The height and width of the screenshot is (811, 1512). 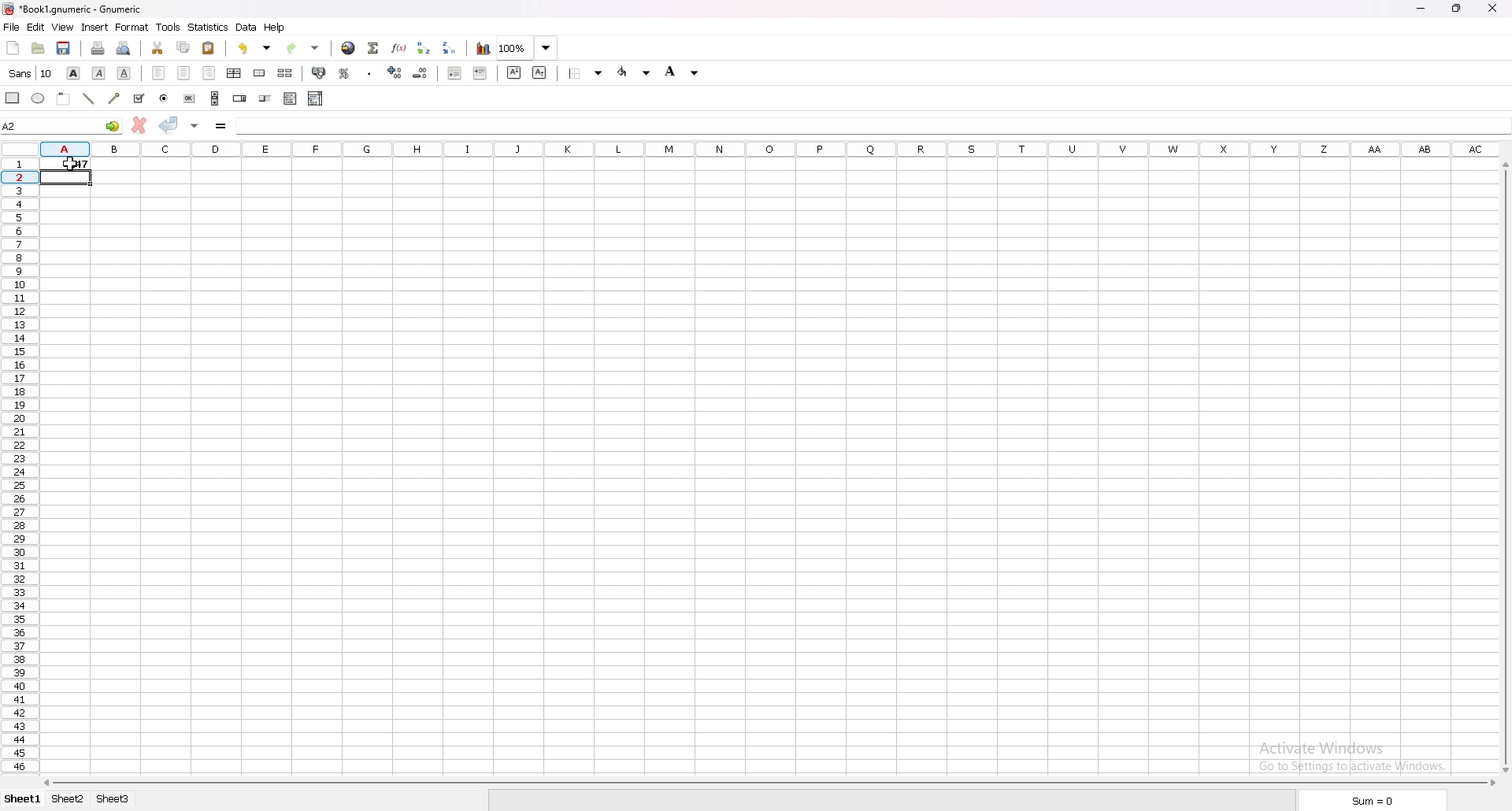 What do you see at coordinates (370, 73) in the screenshot?
I see `thousand separator` at bounding box center [370, 73].